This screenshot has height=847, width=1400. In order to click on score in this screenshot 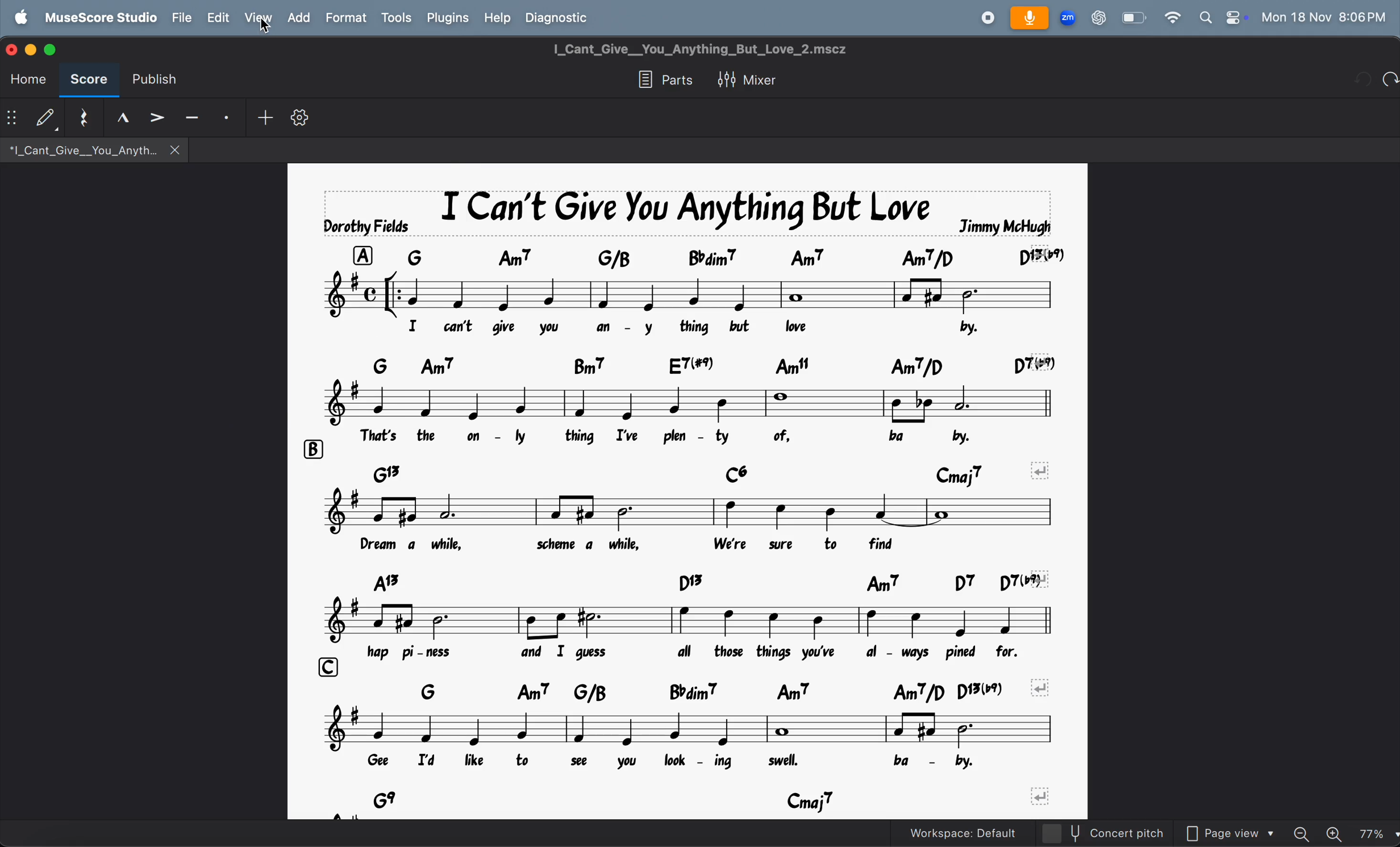, I will do `click(90, 81)`.